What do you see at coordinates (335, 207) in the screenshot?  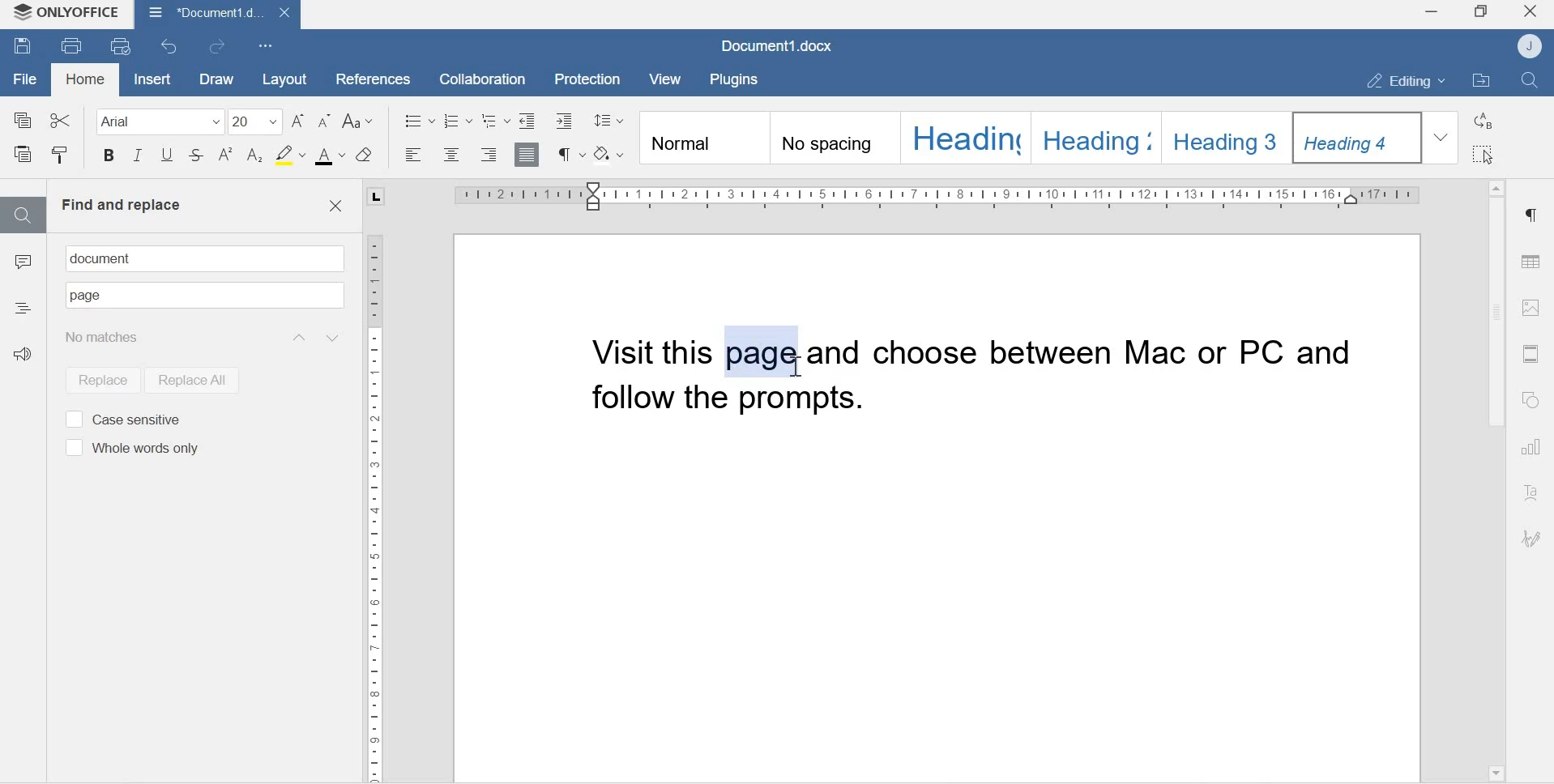 I see `Close find` at bounding box center [335, 207].